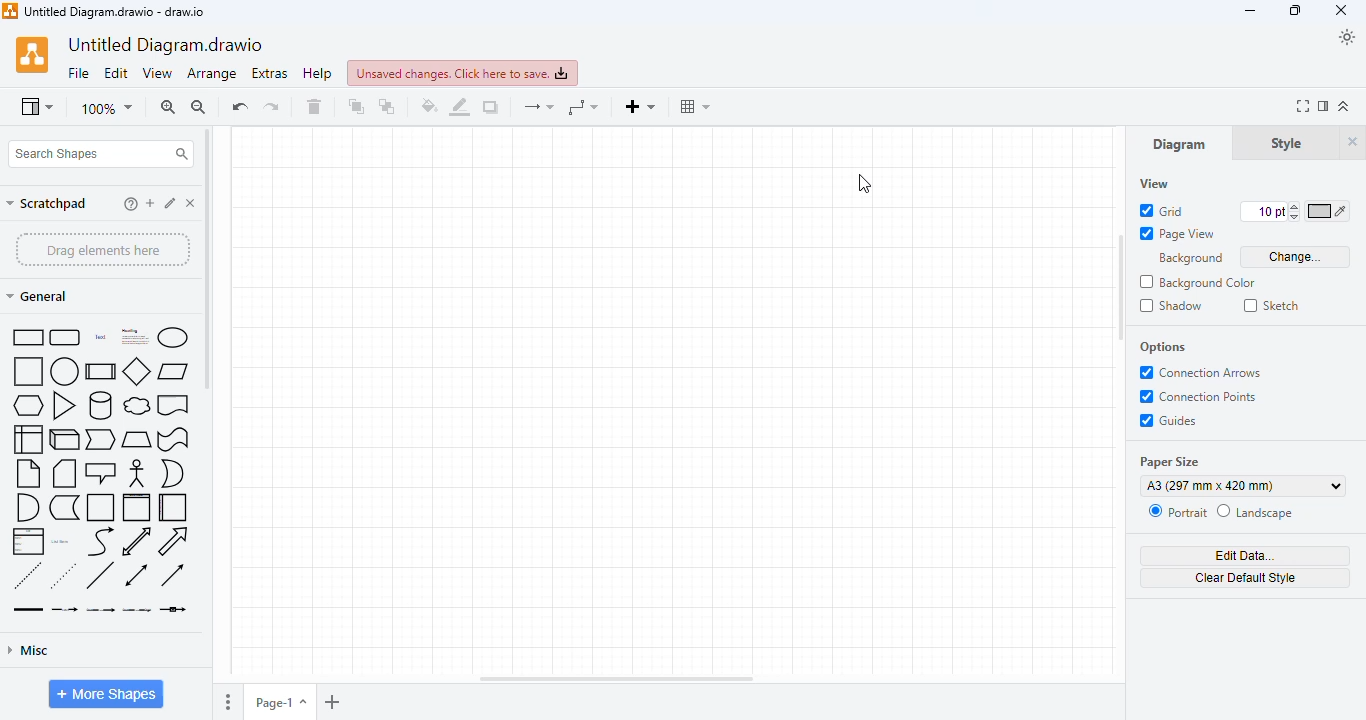  Describe the element at coordinates (39, 296) in the screenshot. I see `general` at that location.